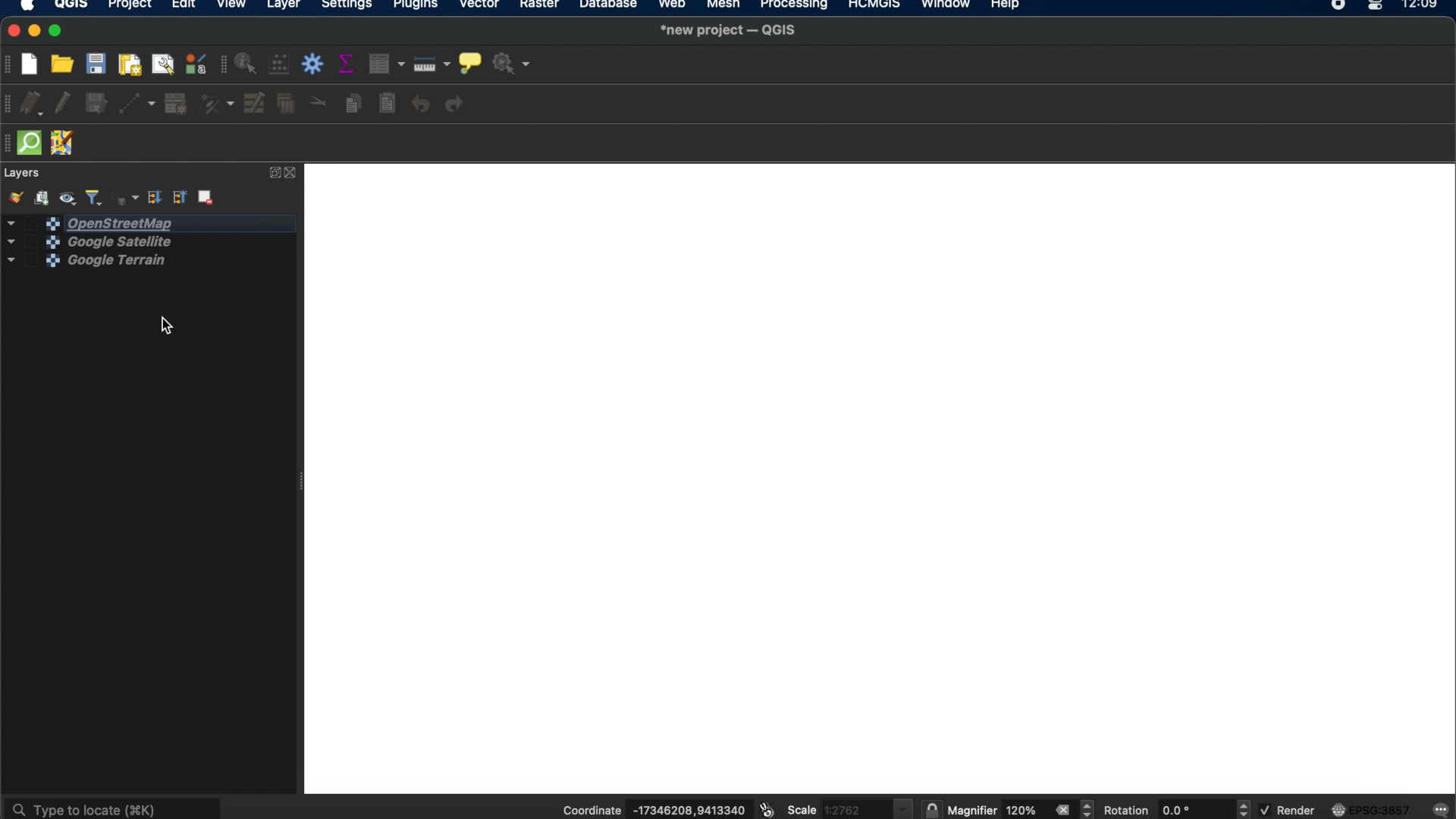 The height and width of the screenshot is (819, 1456). Describe the element at coordinates (389, 64) in the screenshot. I see `open attribute table` at that location.